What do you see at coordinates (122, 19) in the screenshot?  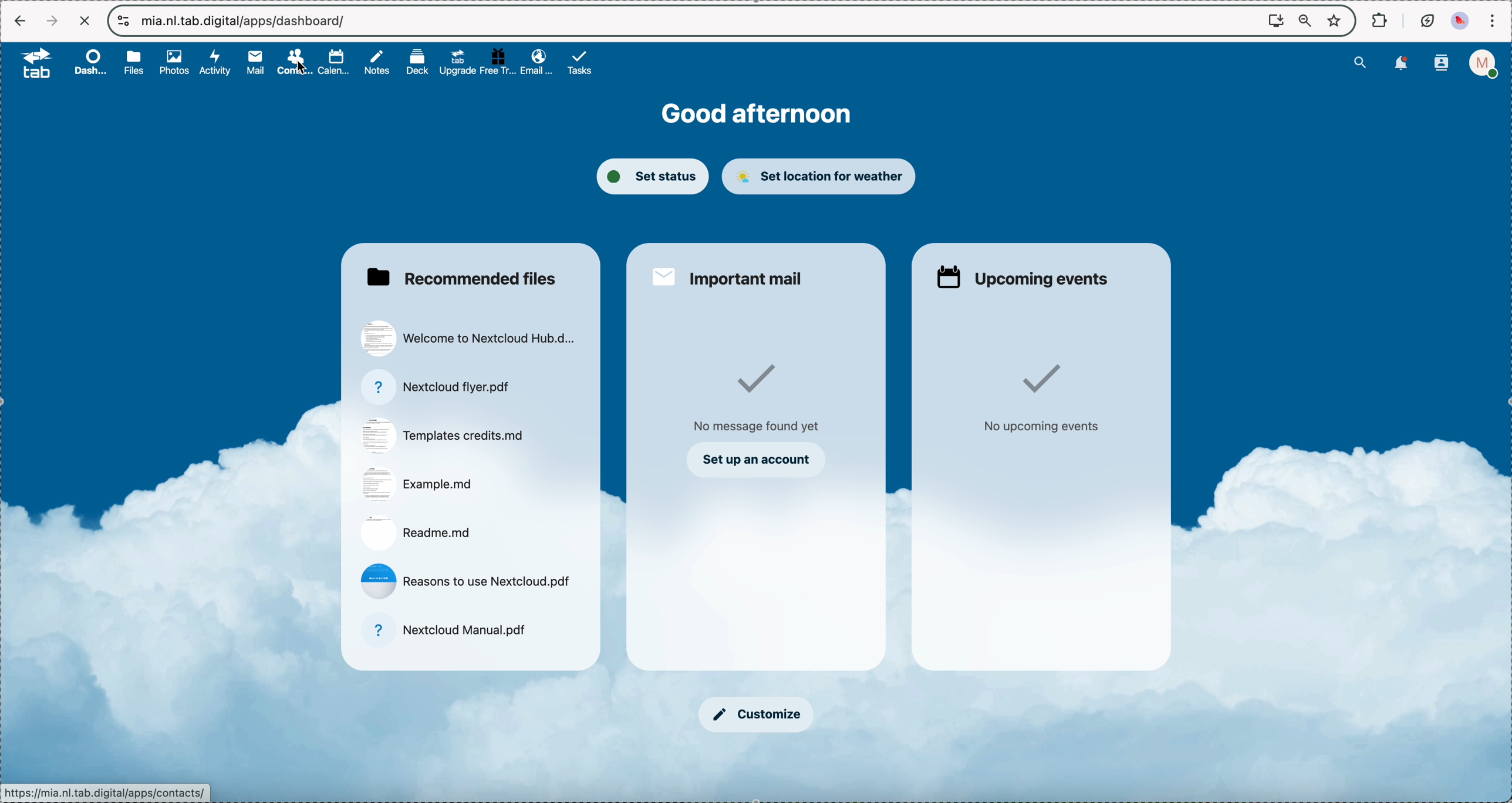 I see `controls` at bounding box center [122, 19].